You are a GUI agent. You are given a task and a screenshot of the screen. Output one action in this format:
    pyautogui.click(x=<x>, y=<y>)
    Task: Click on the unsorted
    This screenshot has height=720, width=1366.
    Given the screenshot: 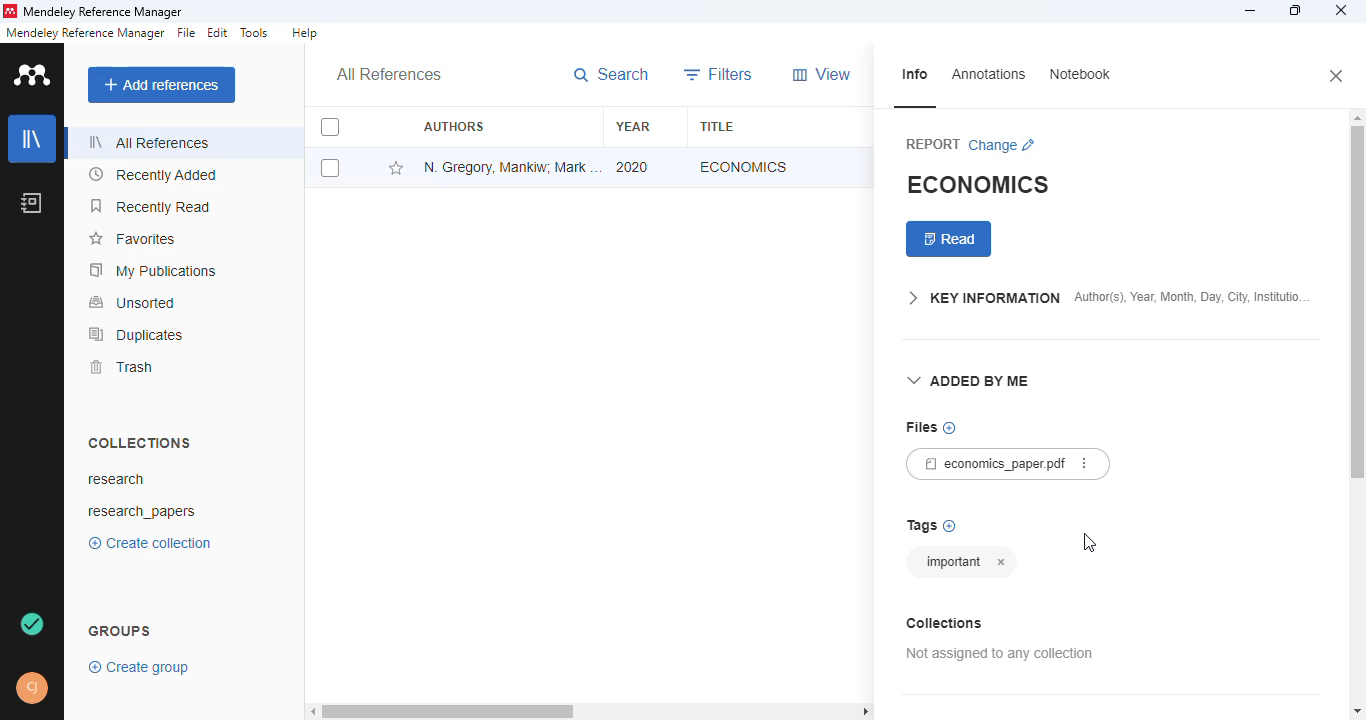 What is the action you would take?
    pyautogui.click(x=133, y=302)
    